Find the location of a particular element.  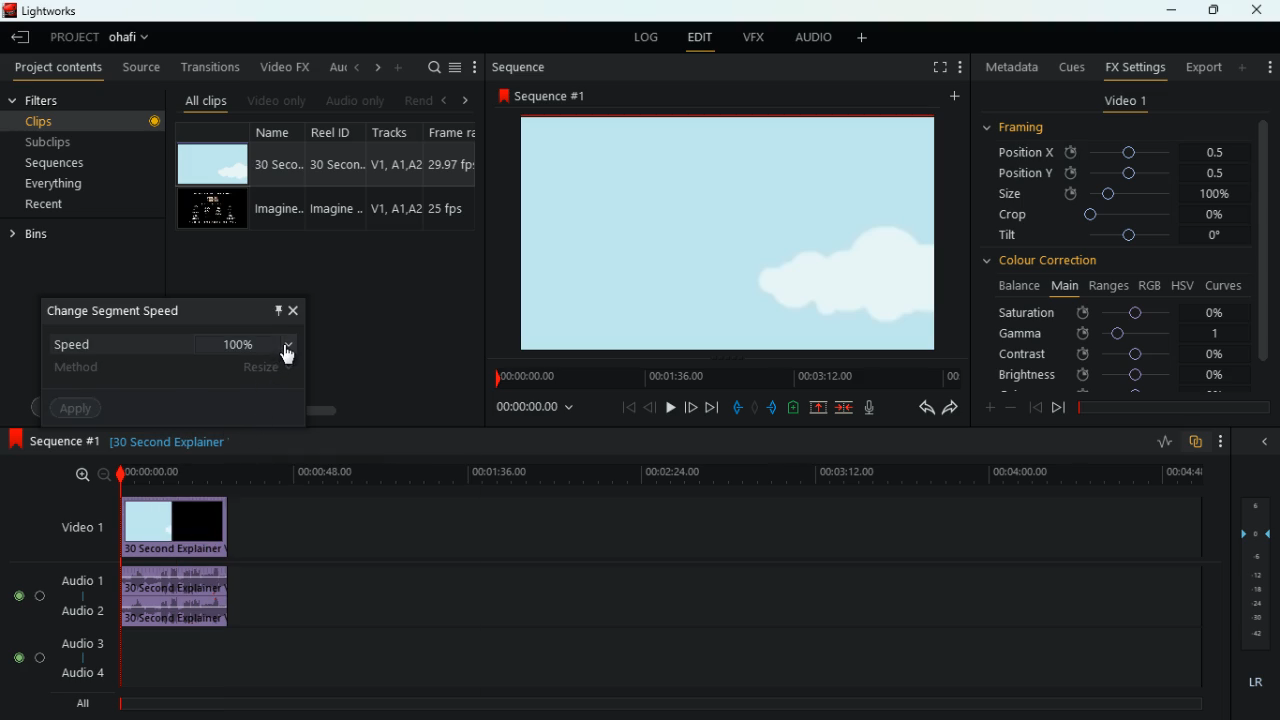

right is located at coordinates (465, 100).